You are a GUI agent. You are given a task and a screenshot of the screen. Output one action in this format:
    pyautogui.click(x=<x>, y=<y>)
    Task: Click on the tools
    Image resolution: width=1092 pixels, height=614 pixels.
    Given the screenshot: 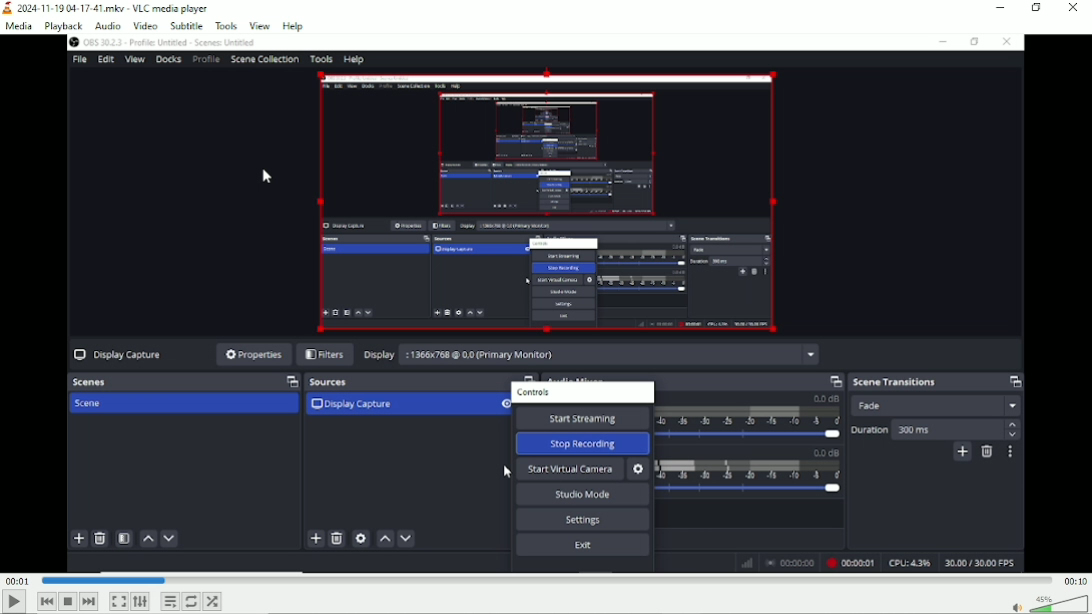 What is the action you would take?
    pyautogui.click(x=227, y=25)
    